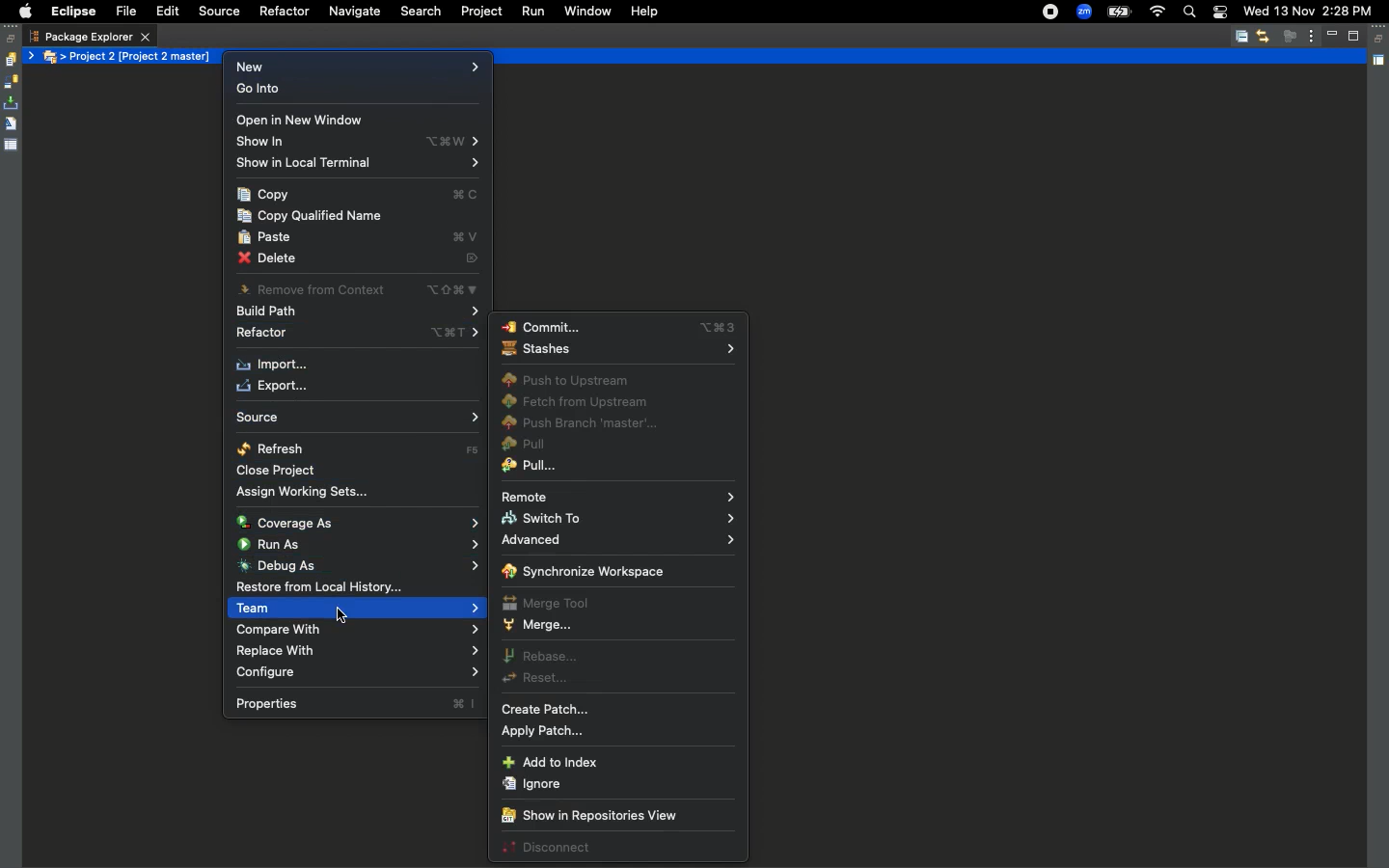 Image resolution: width=1389 pixels, height=868 pixels. Describe the element at coordinates (644, 11) in the screenshot. I see `Help` at that location.